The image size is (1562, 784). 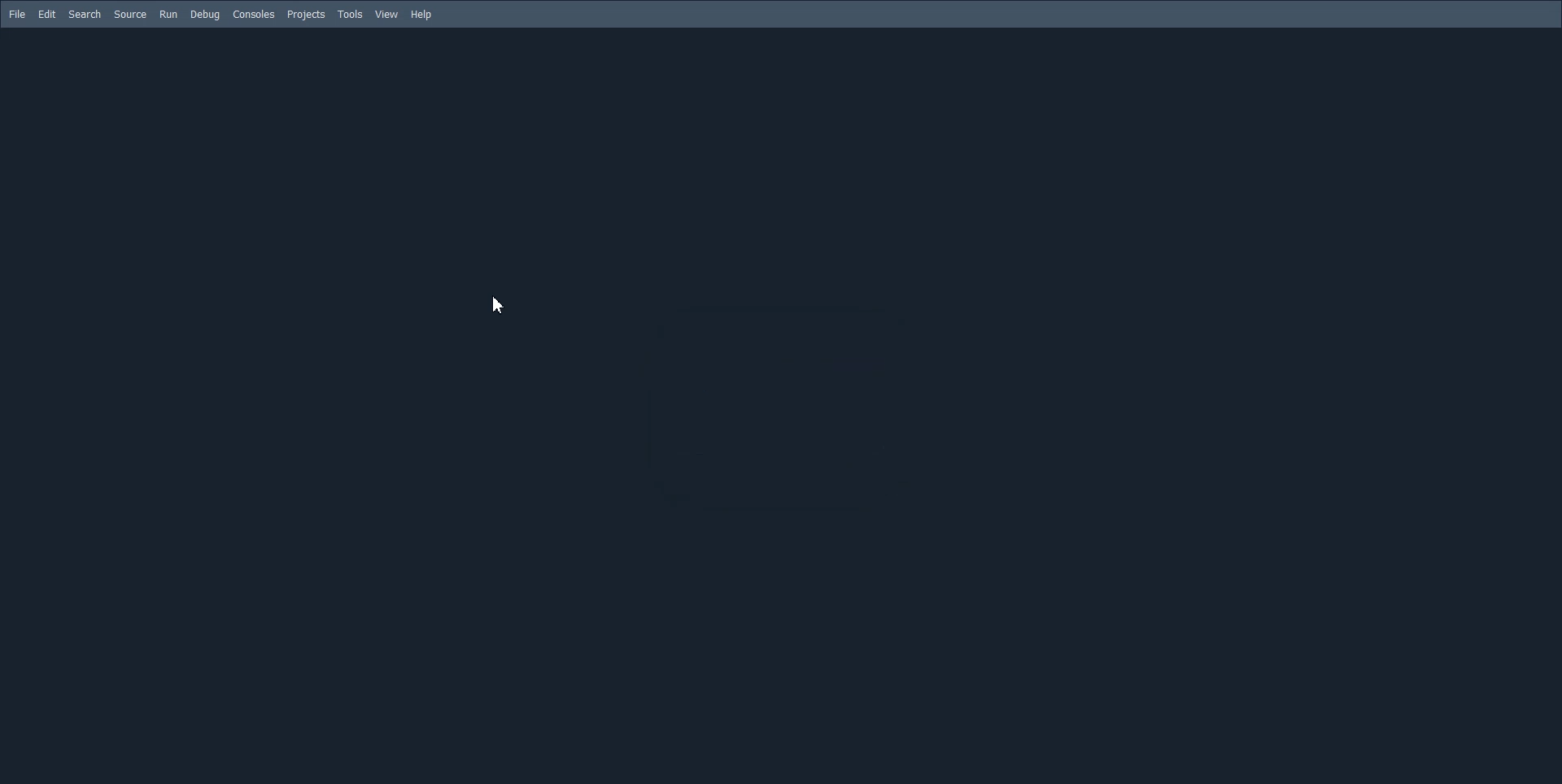 I want to click on Tools, so click(x=351, y=15).